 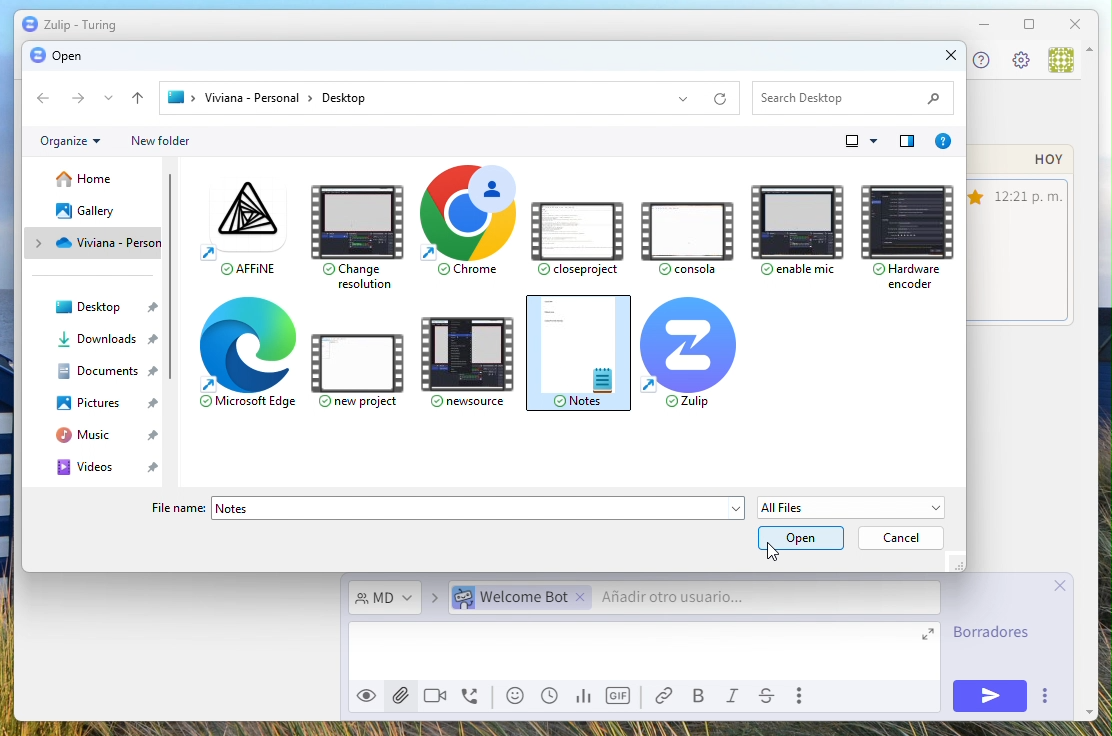 I want to click on microsoft edge, so click(x=249, y=358).